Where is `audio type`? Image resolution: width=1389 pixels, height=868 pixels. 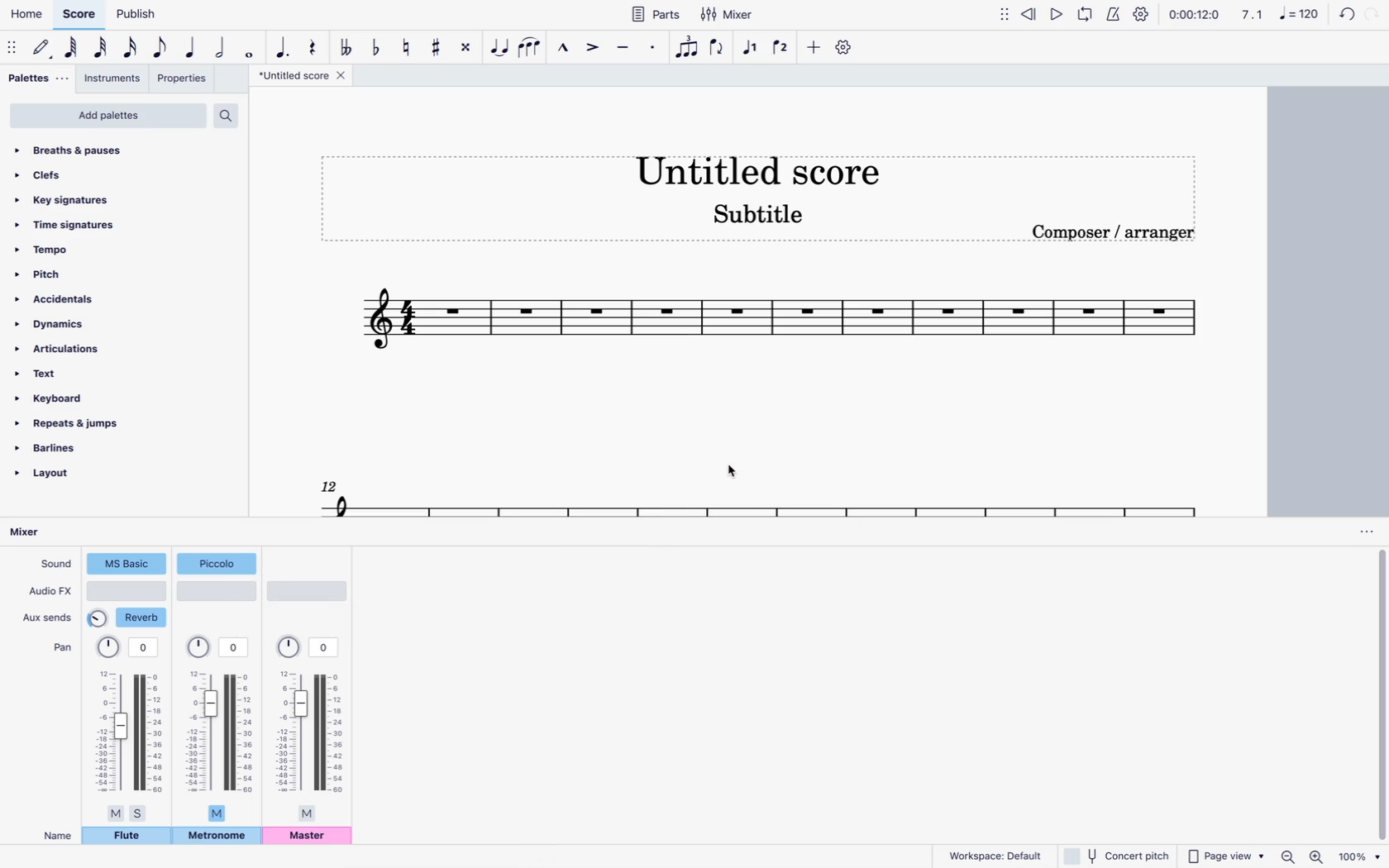
audio type is located at coordinates (217, 591).